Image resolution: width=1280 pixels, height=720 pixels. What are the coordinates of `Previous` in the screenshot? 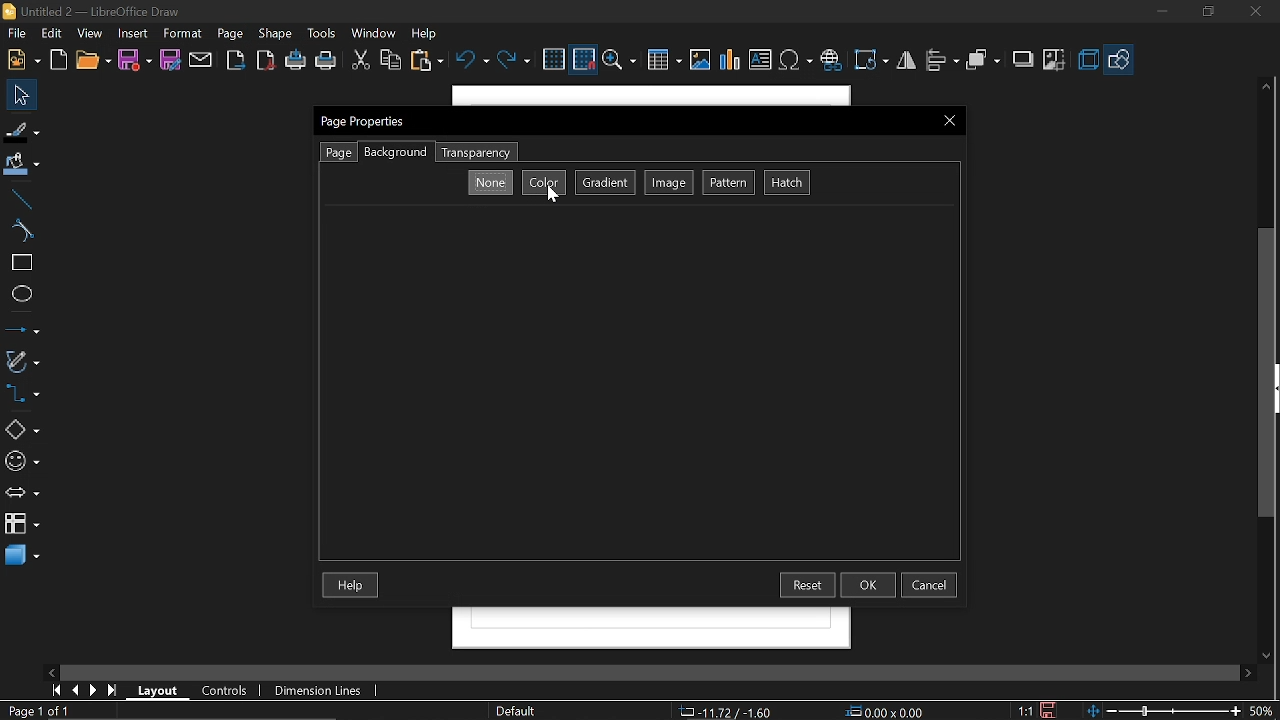 It's located at (77, 691).